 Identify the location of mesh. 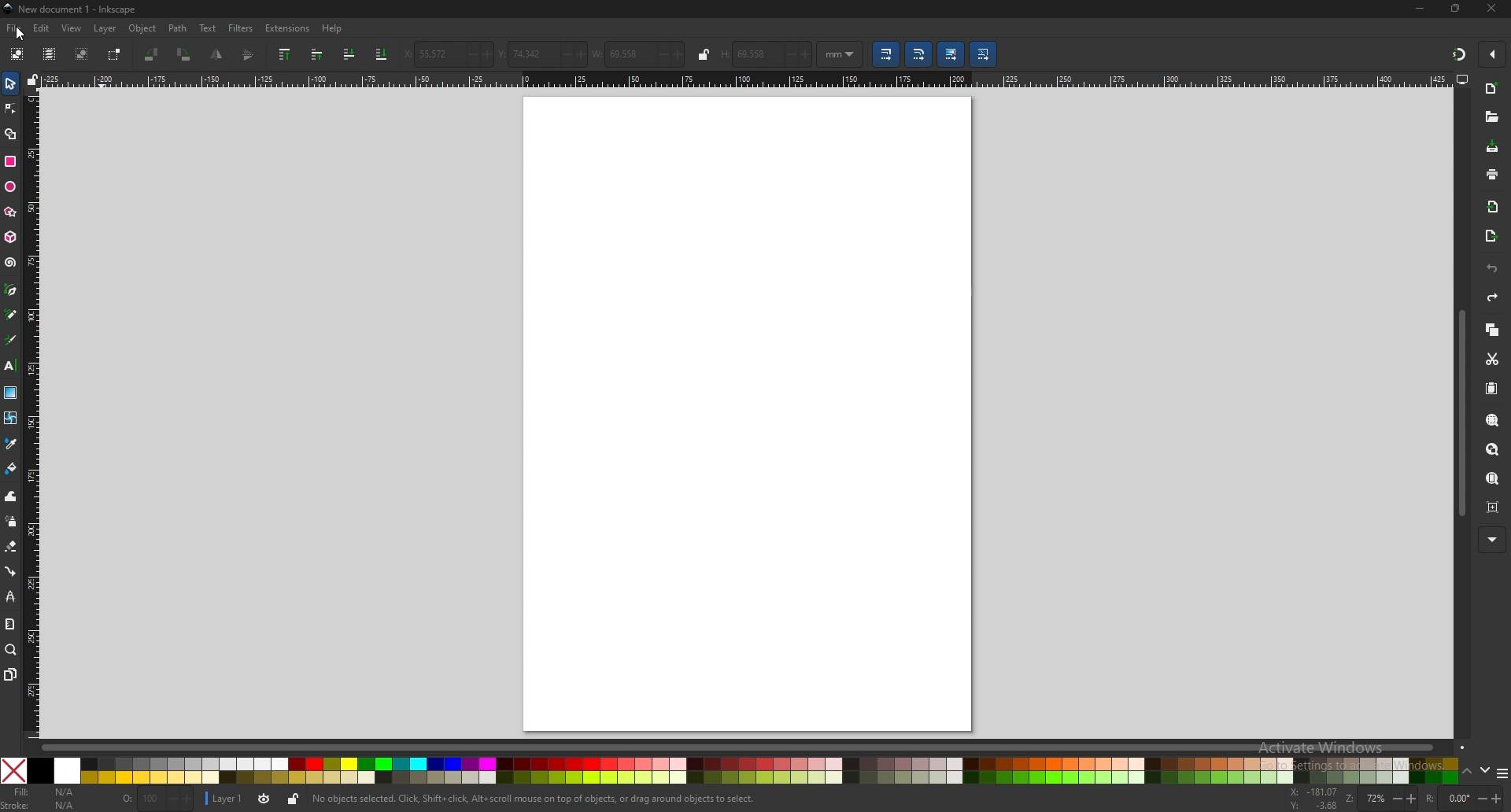
(11, 416).